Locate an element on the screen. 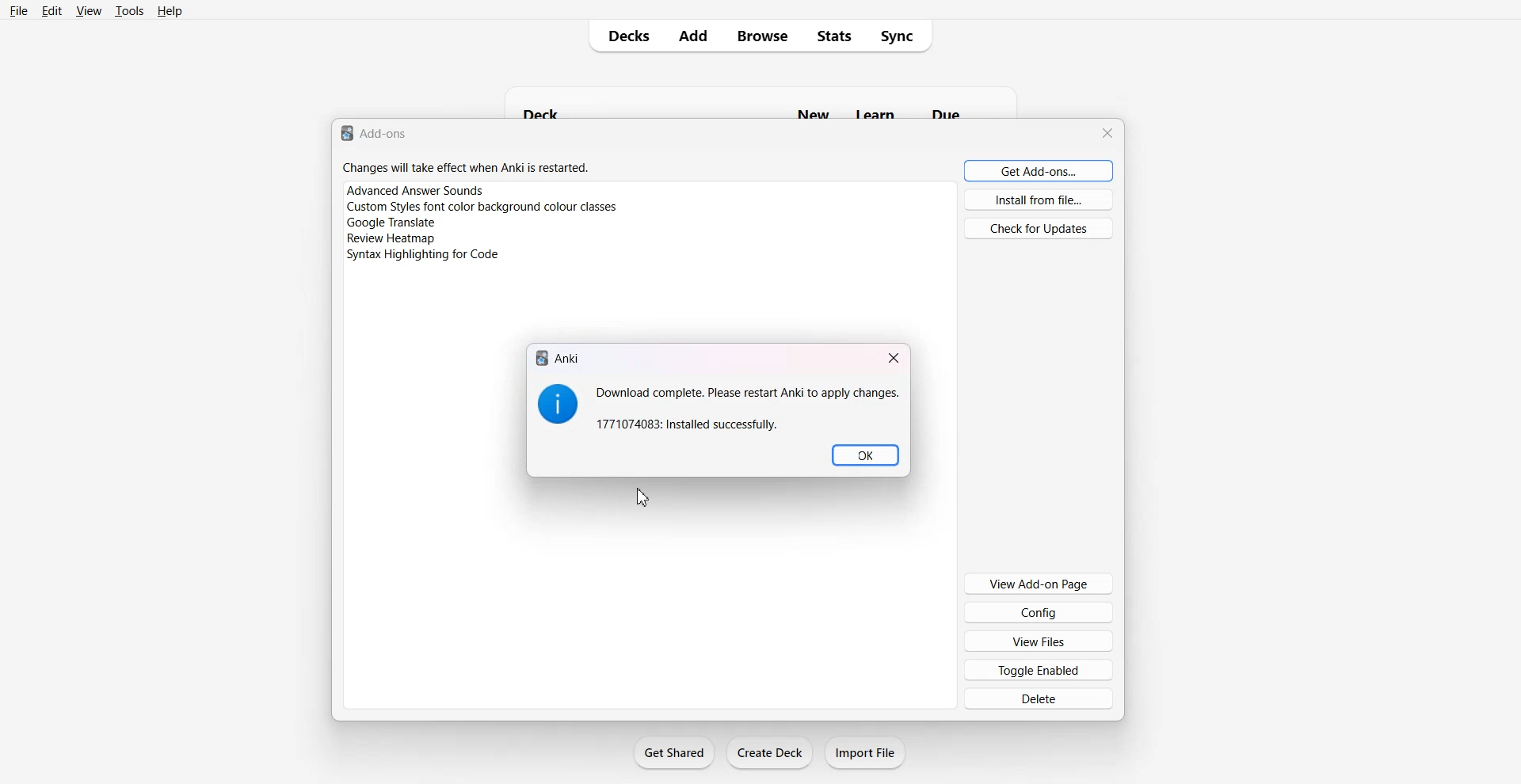 The image size is (1521, 784). Add is located at coordinates (694, 36).